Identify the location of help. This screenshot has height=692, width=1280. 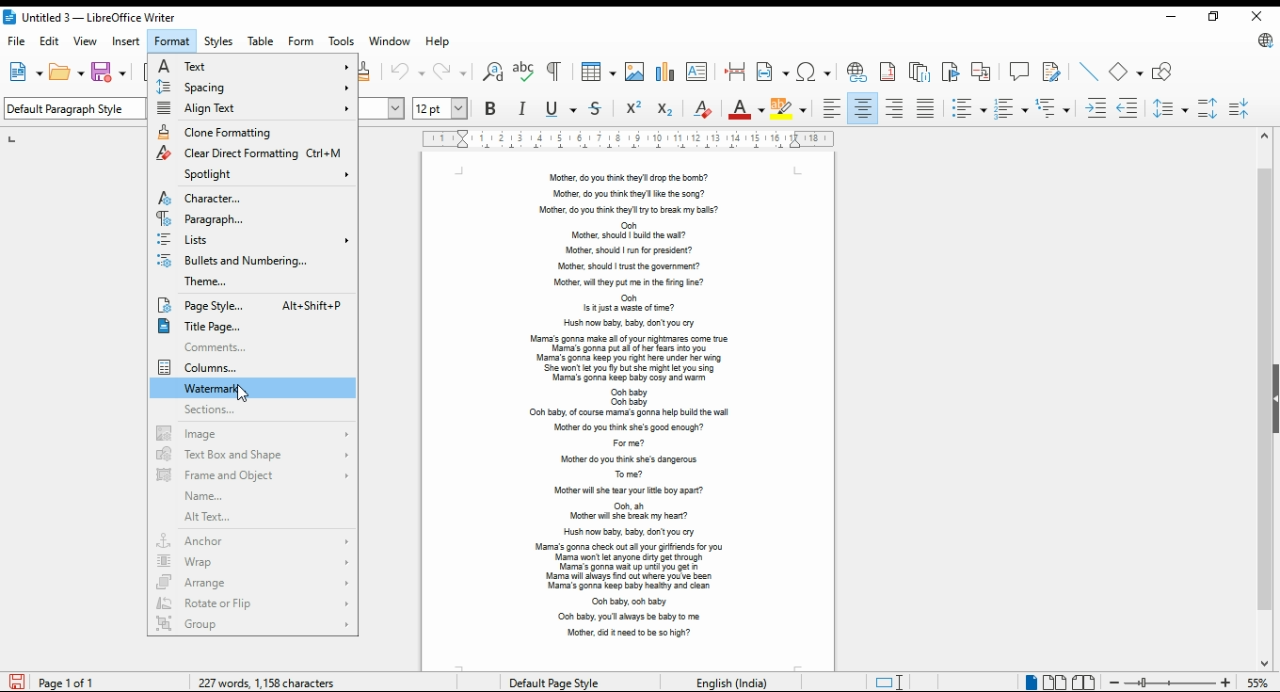
(441, 41).